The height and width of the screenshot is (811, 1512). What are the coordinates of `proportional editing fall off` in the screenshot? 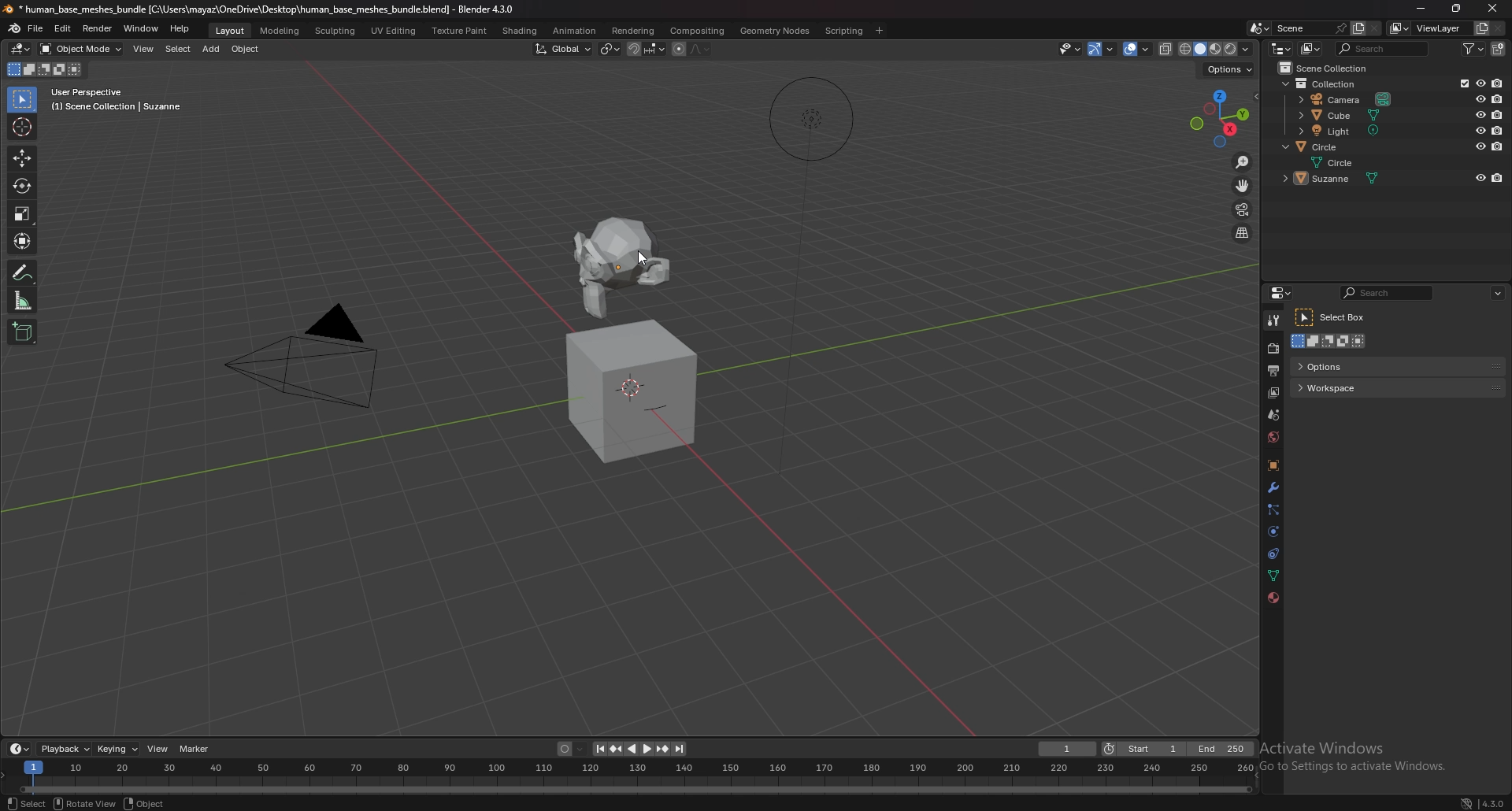 It's located at (702, 50).